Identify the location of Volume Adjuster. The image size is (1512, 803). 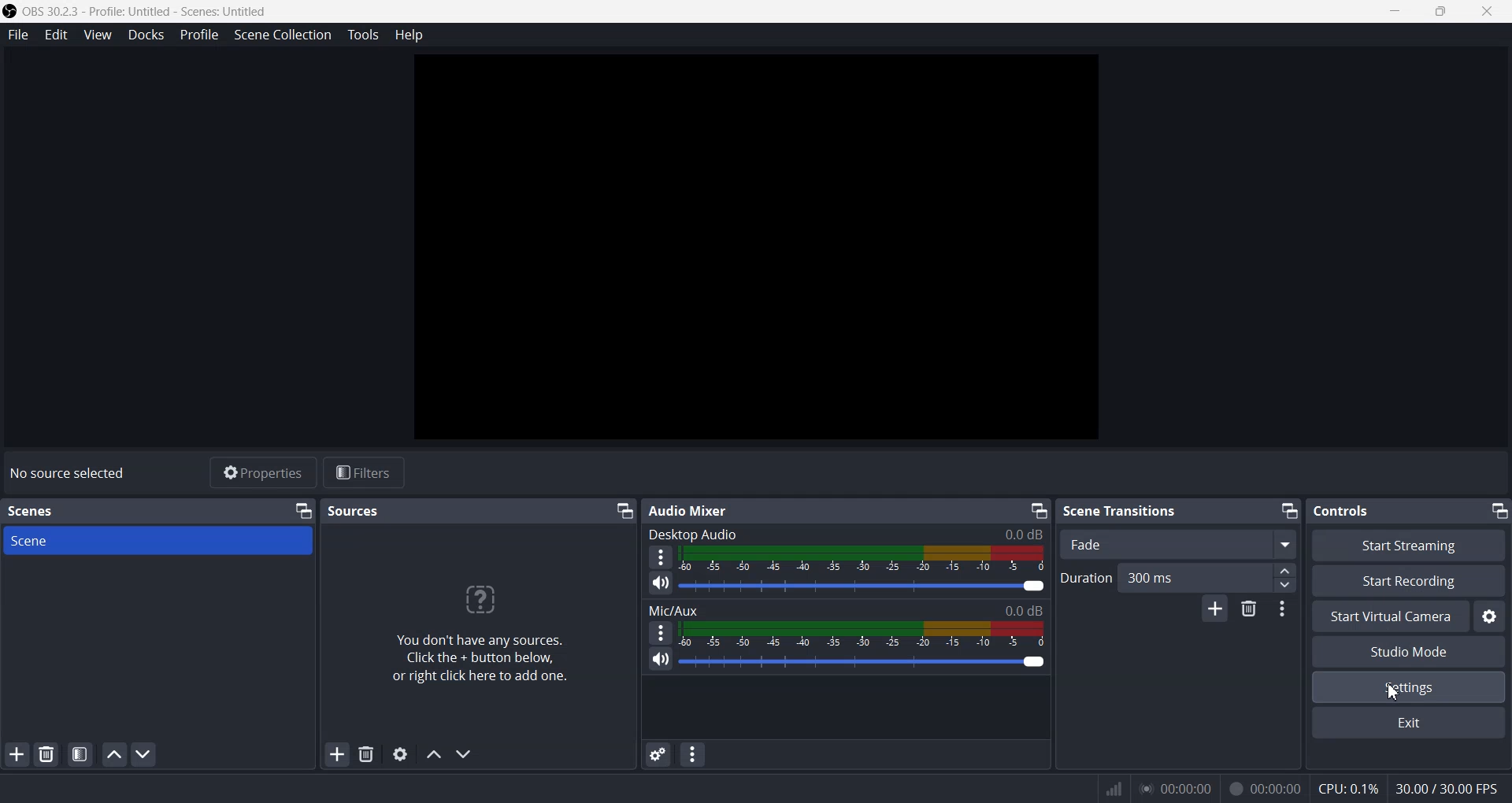
(864, 661).